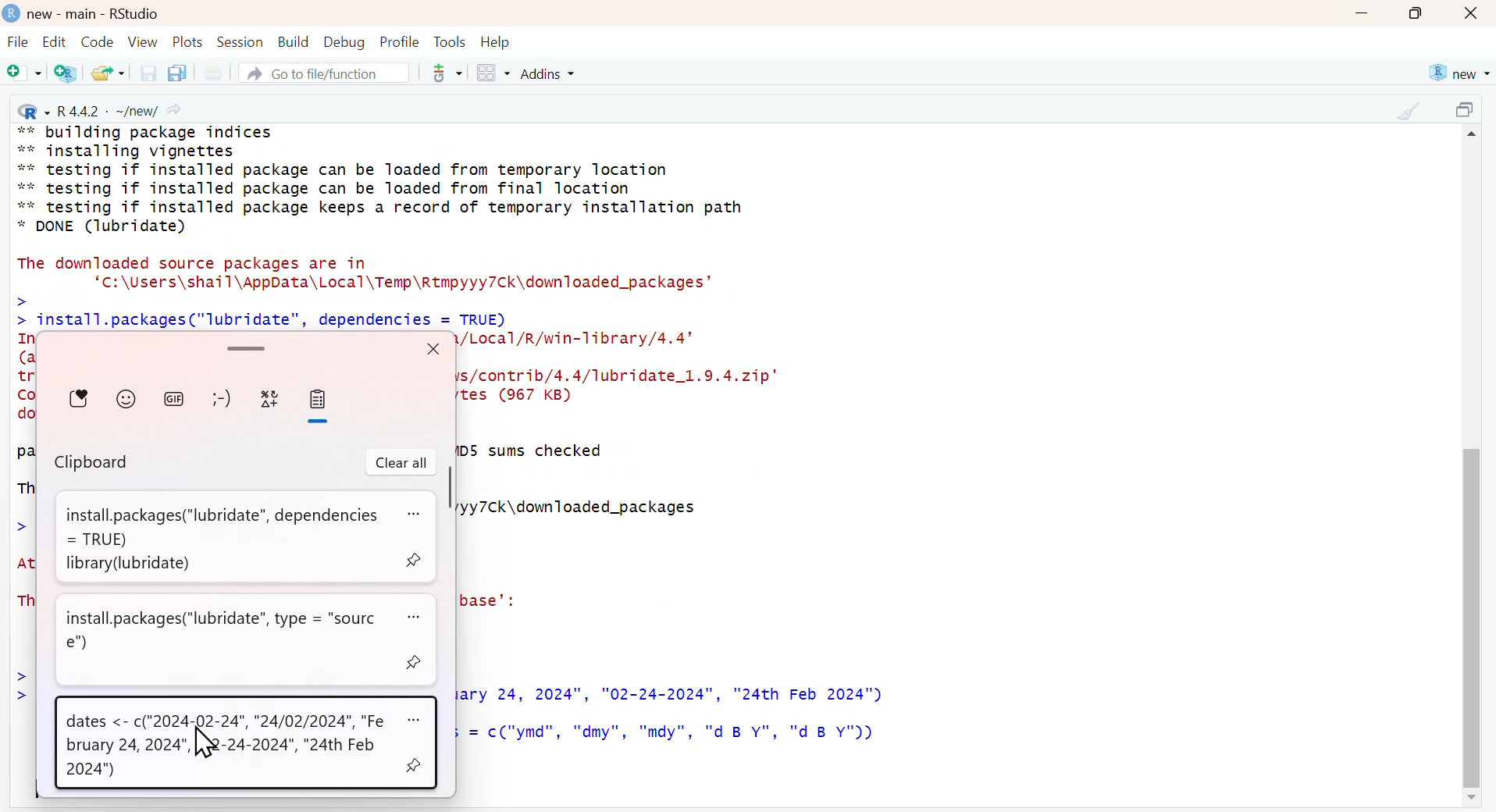  Describe the element at coordinates (372, 291) in the screenshot. I see `The downloaded source packages are in
‘c:\Users\shail\AppData\Local\Temp\Rtmpyyy7Ck\downloaded_packages’

>

> install.packages("lubridate"”, dependencies = TRUE)` at that location.